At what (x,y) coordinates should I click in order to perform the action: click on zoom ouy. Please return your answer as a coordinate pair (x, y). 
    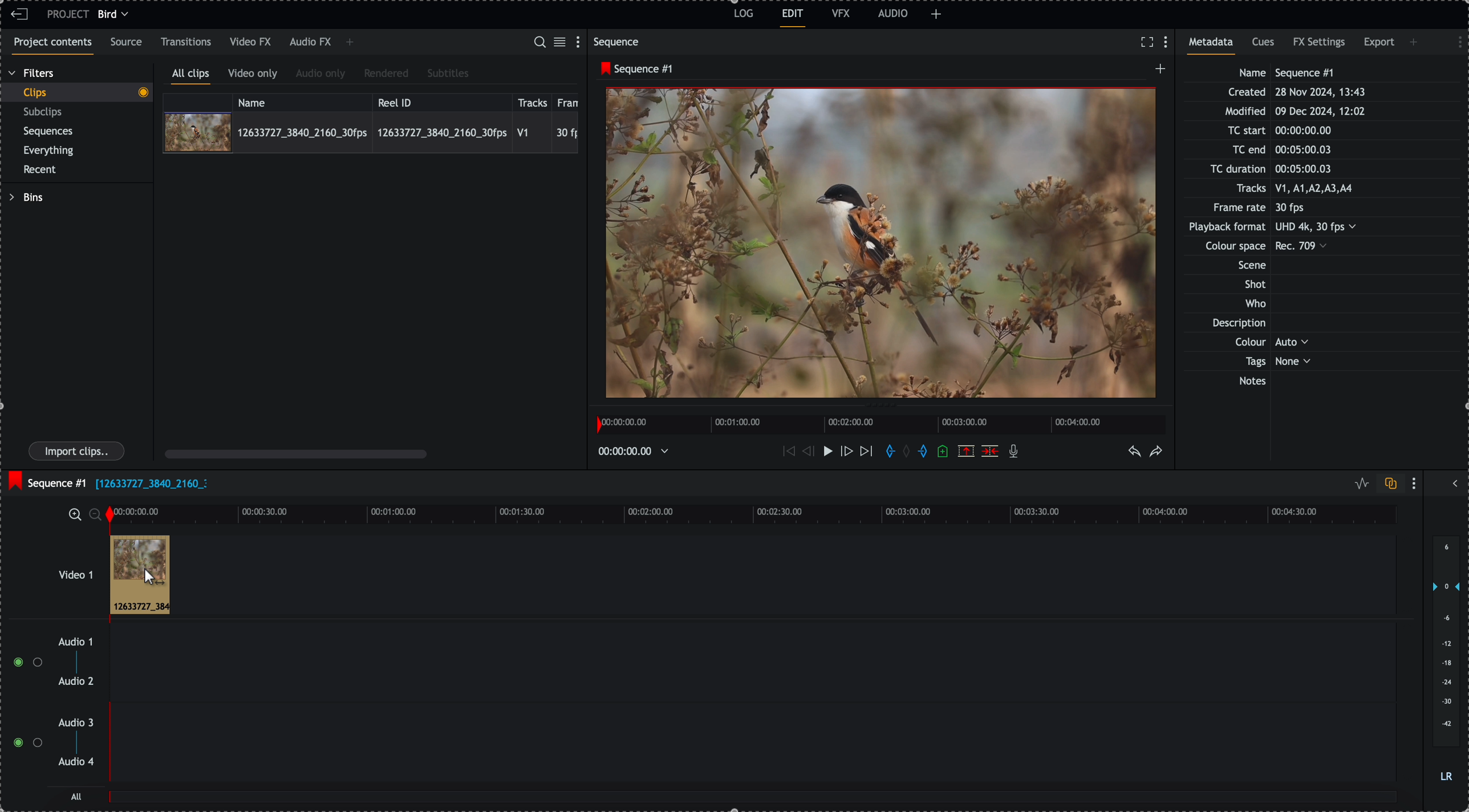
    Looking at the image, I should click on (96, 514).